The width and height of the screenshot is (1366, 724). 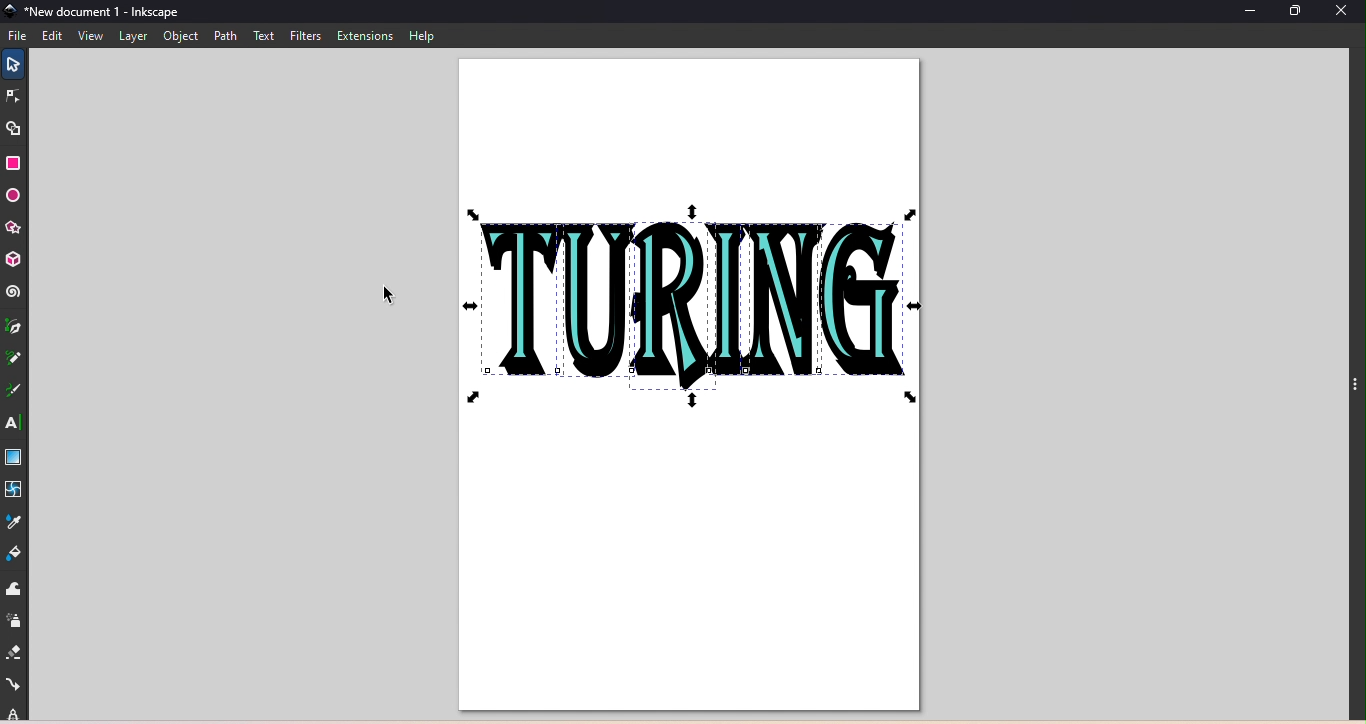 What do you see at coordinates (15, 713) in the screenshot?
I see `lock` at bounding box center [15, 713].